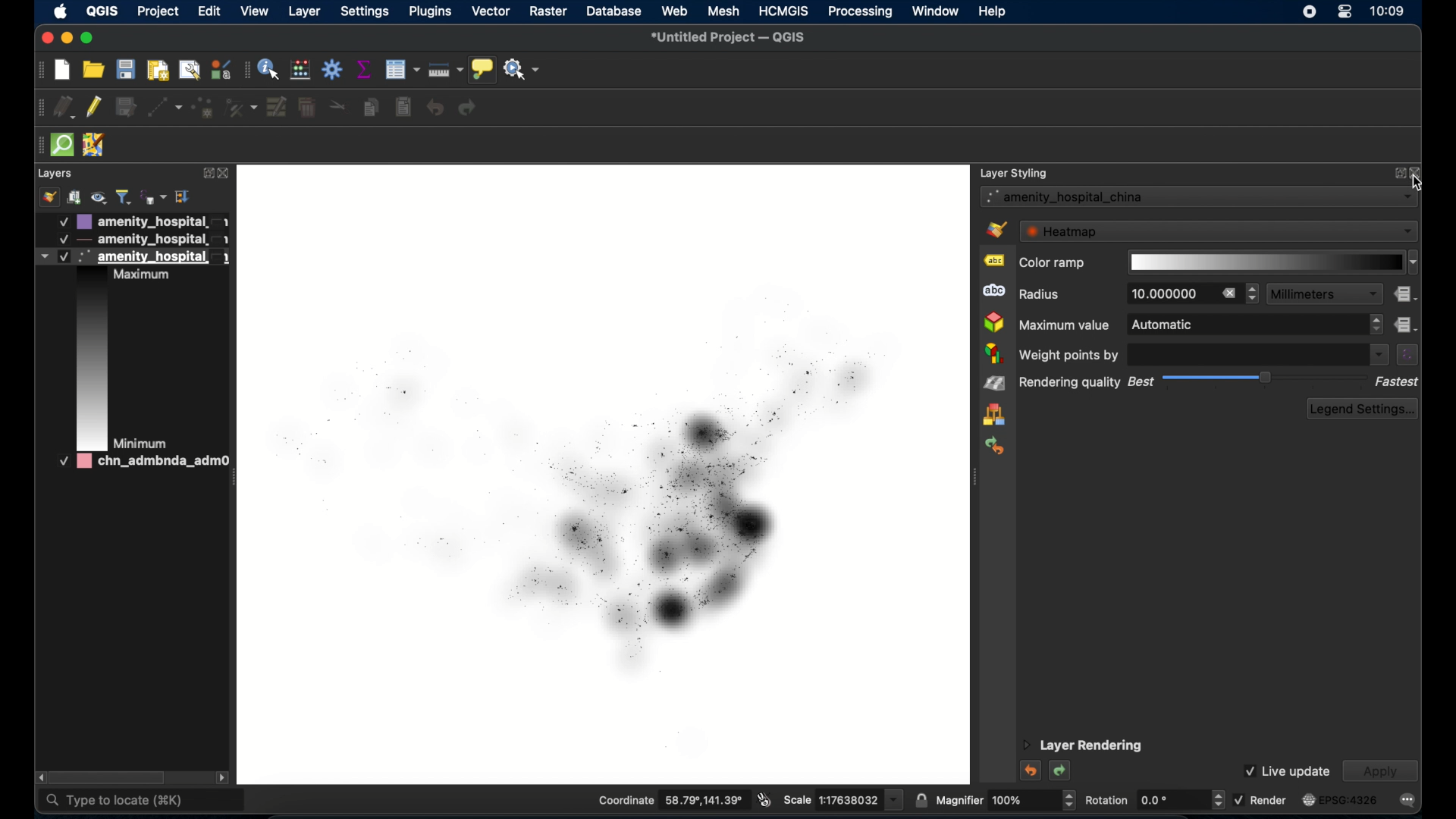  What do you see at coordinates (725, 39) in the screenshot?
I see `untitled project - QGIS` at bounding box center [725, 39].